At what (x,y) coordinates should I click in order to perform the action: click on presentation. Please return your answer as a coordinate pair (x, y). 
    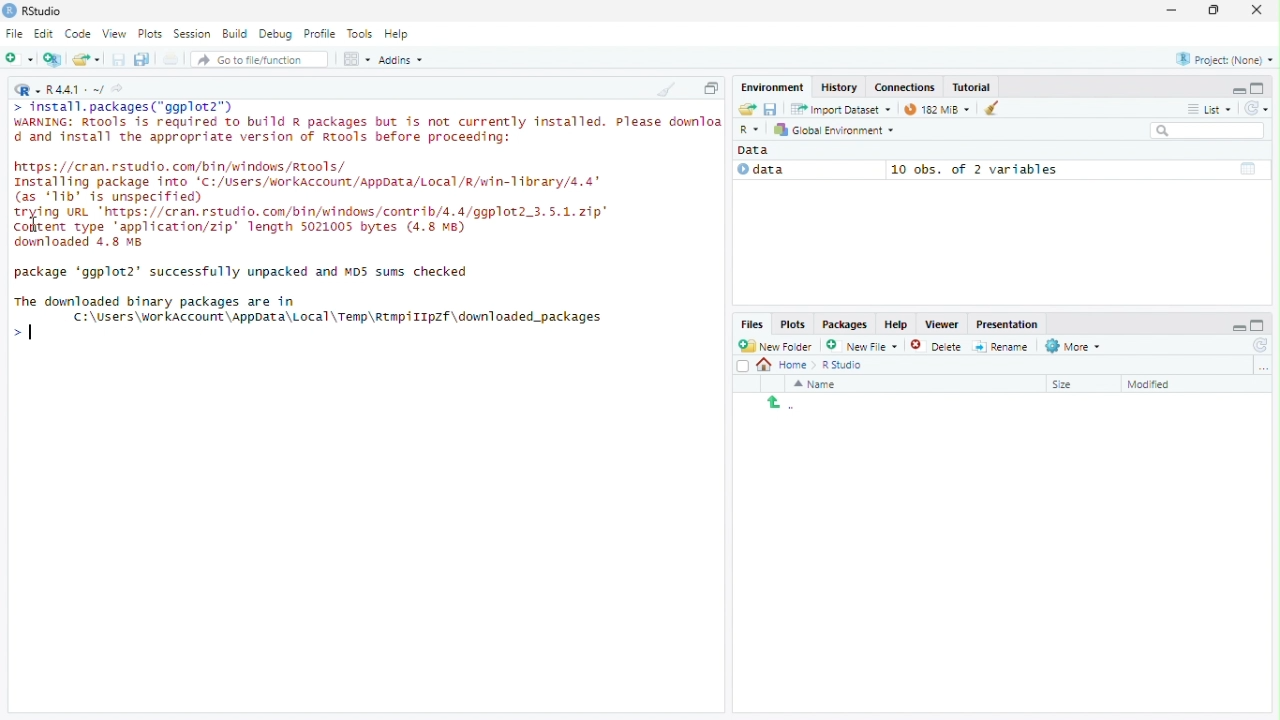
    Looking at the image, I should click on (1010, 324).